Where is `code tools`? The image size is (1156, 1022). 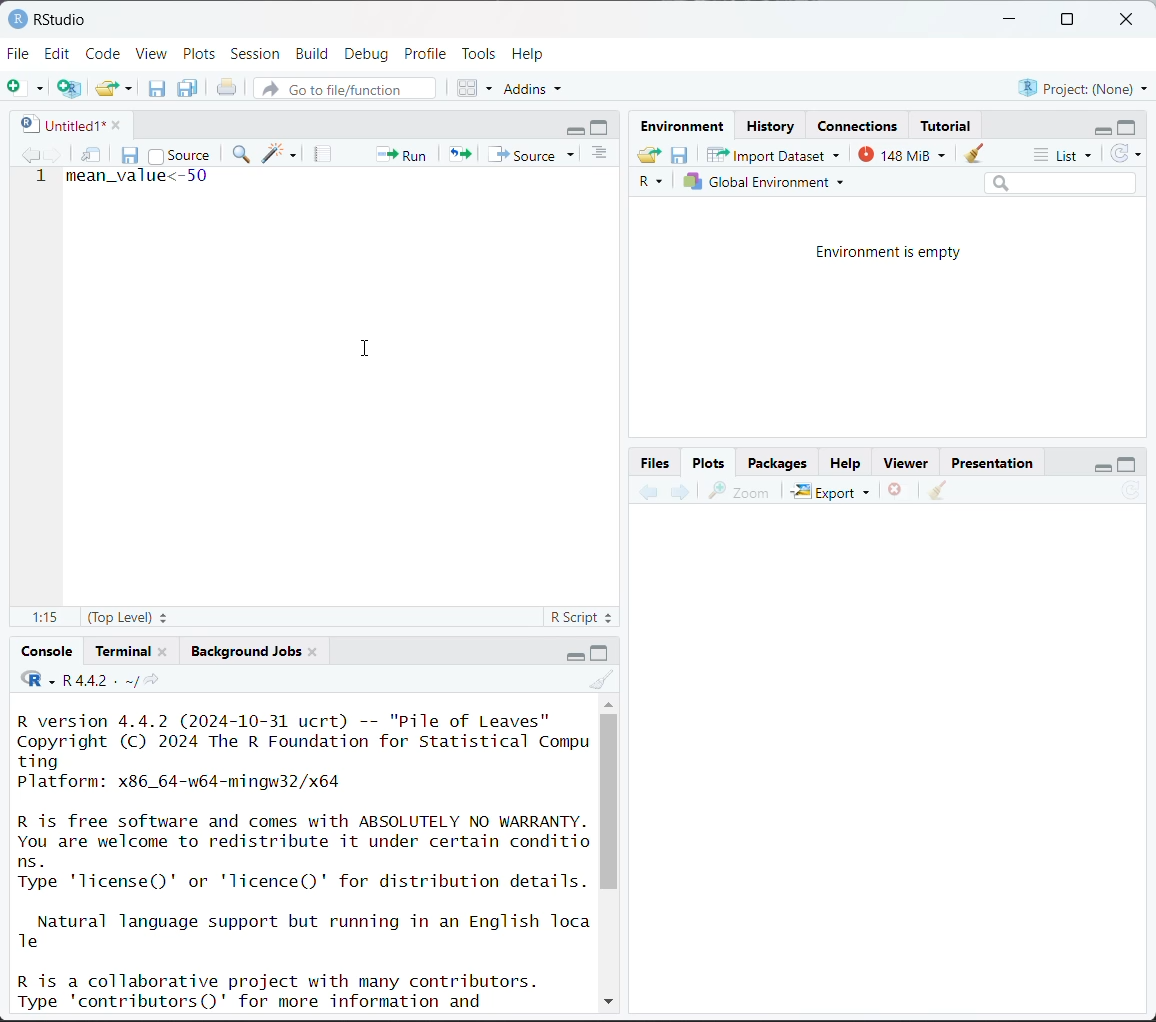
code tools is located at coordinates (280, 153).